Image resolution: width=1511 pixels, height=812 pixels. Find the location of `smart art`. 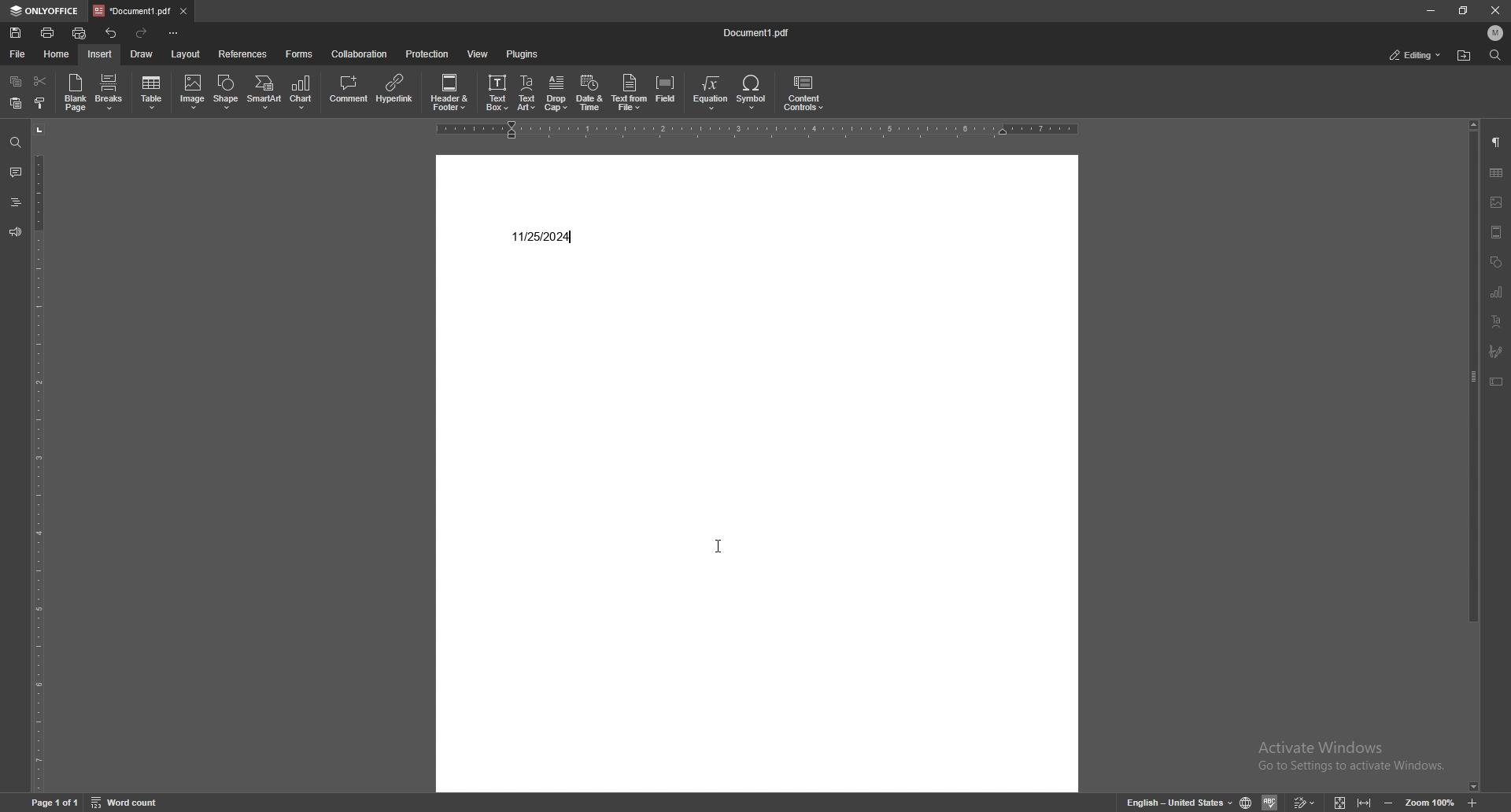

smart art is located at coordinates (264, 92).